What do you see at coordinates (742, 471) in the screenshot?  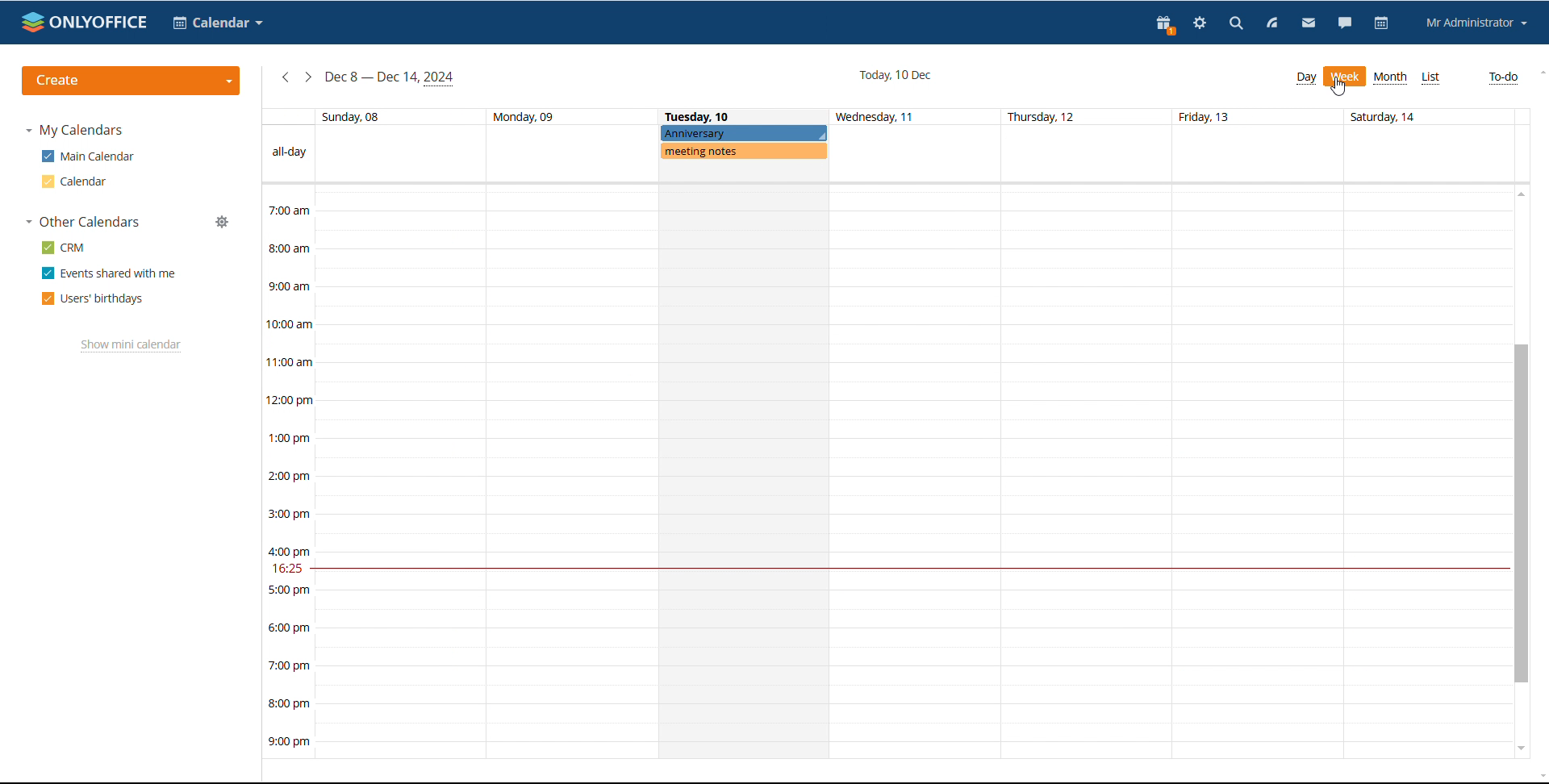 I see `schedule for the day` at bounding box center [742, 471].